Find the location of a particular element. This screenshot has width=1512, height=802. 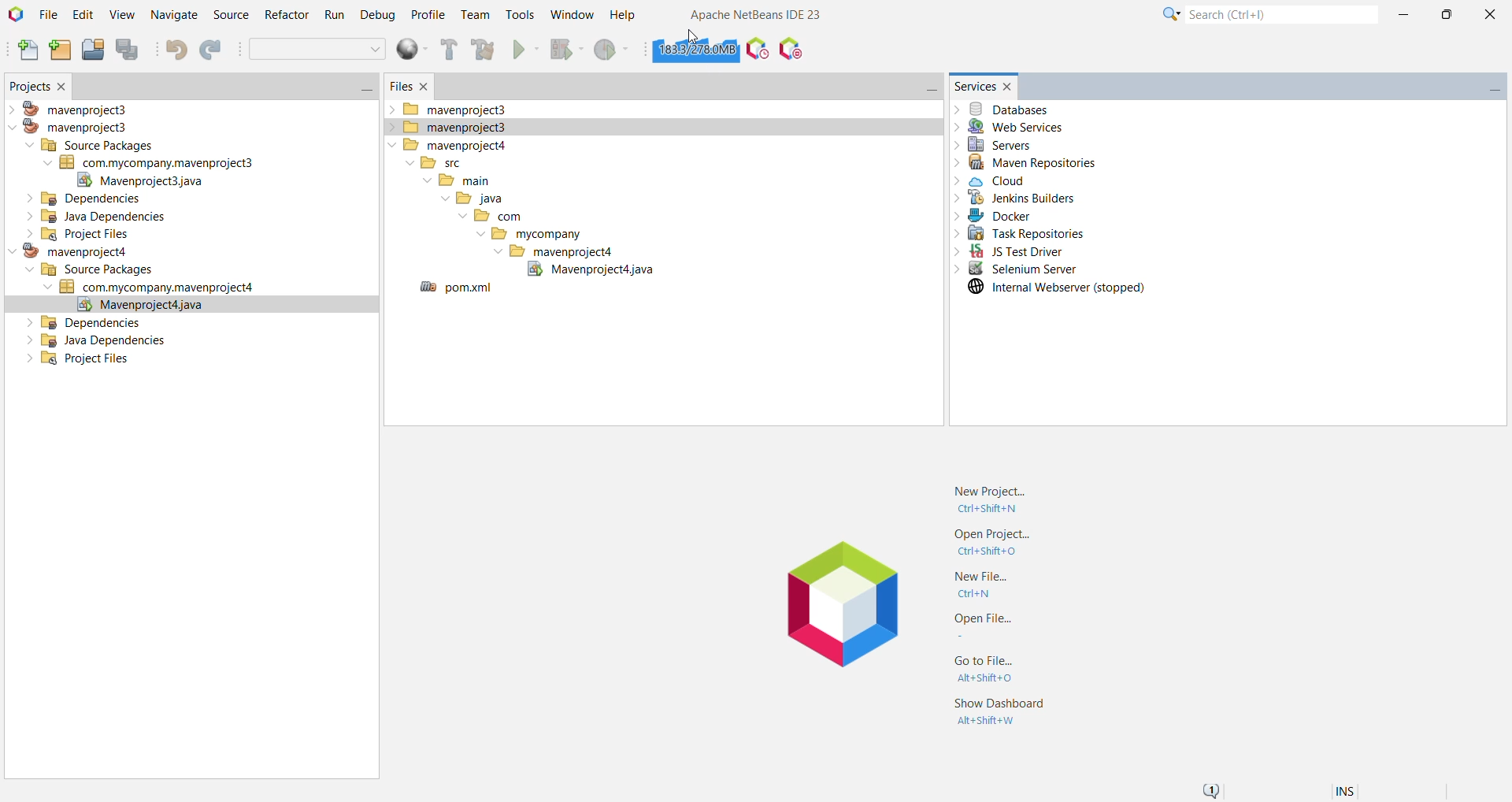

Java Dependencies is located at coordinates (91, 219).